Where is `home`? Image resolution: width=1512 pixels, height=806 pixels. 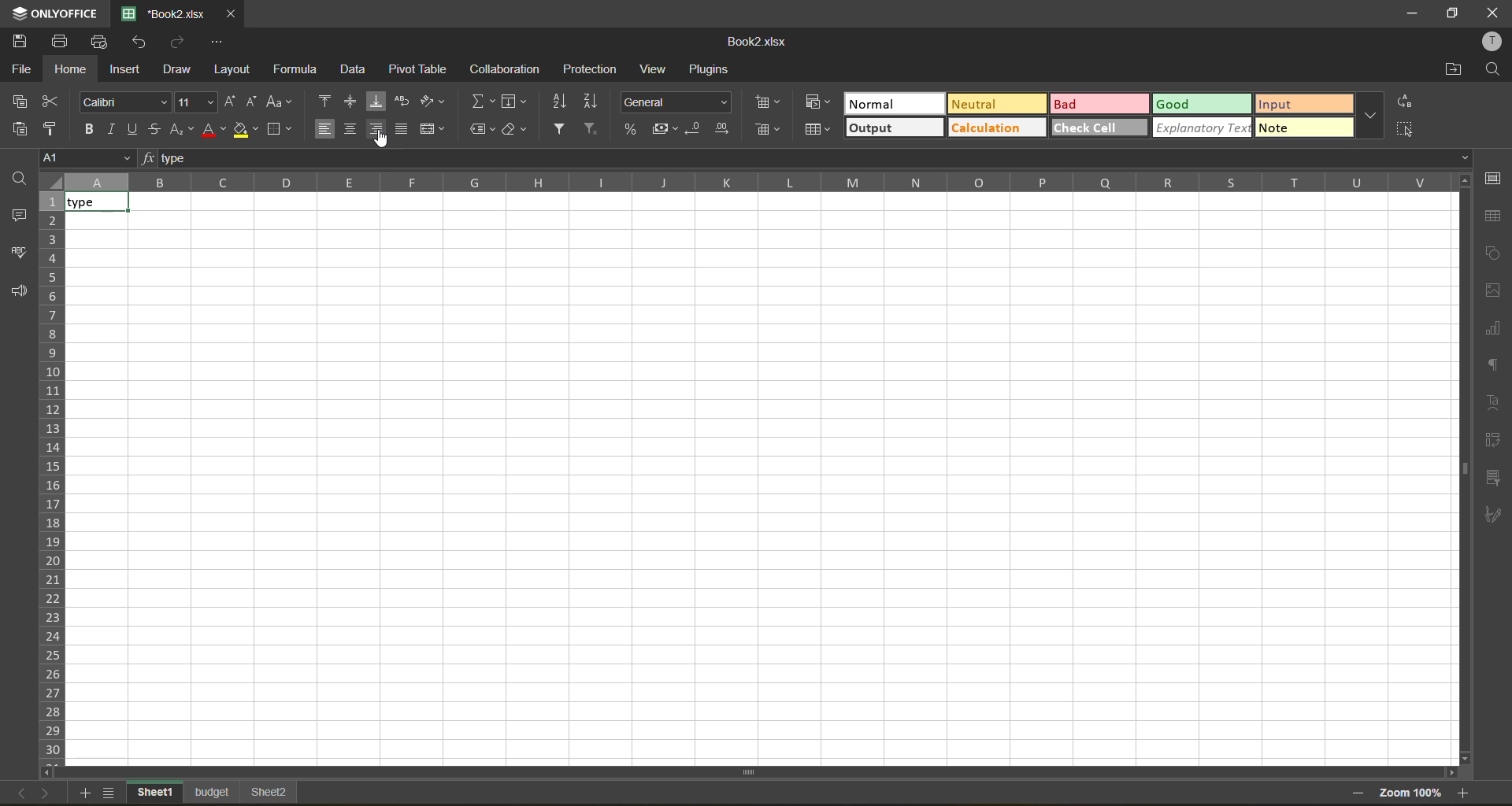
home is located at coordinates (74, 68).